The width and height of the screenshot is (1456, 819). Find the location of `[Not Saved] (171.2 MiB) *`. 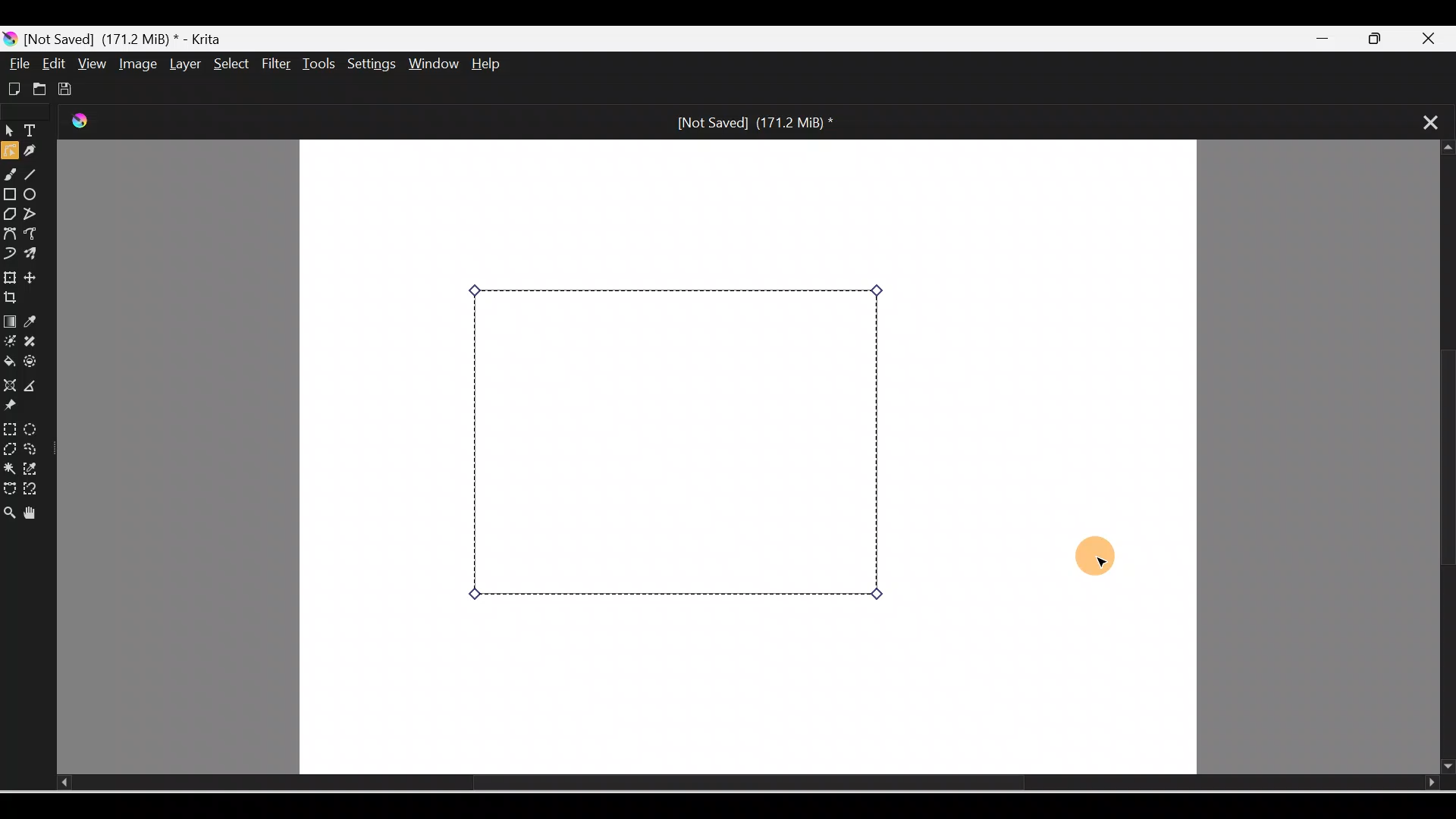

[Not Saved] (171.2 MiB) * is located at coordinates (753, 122).